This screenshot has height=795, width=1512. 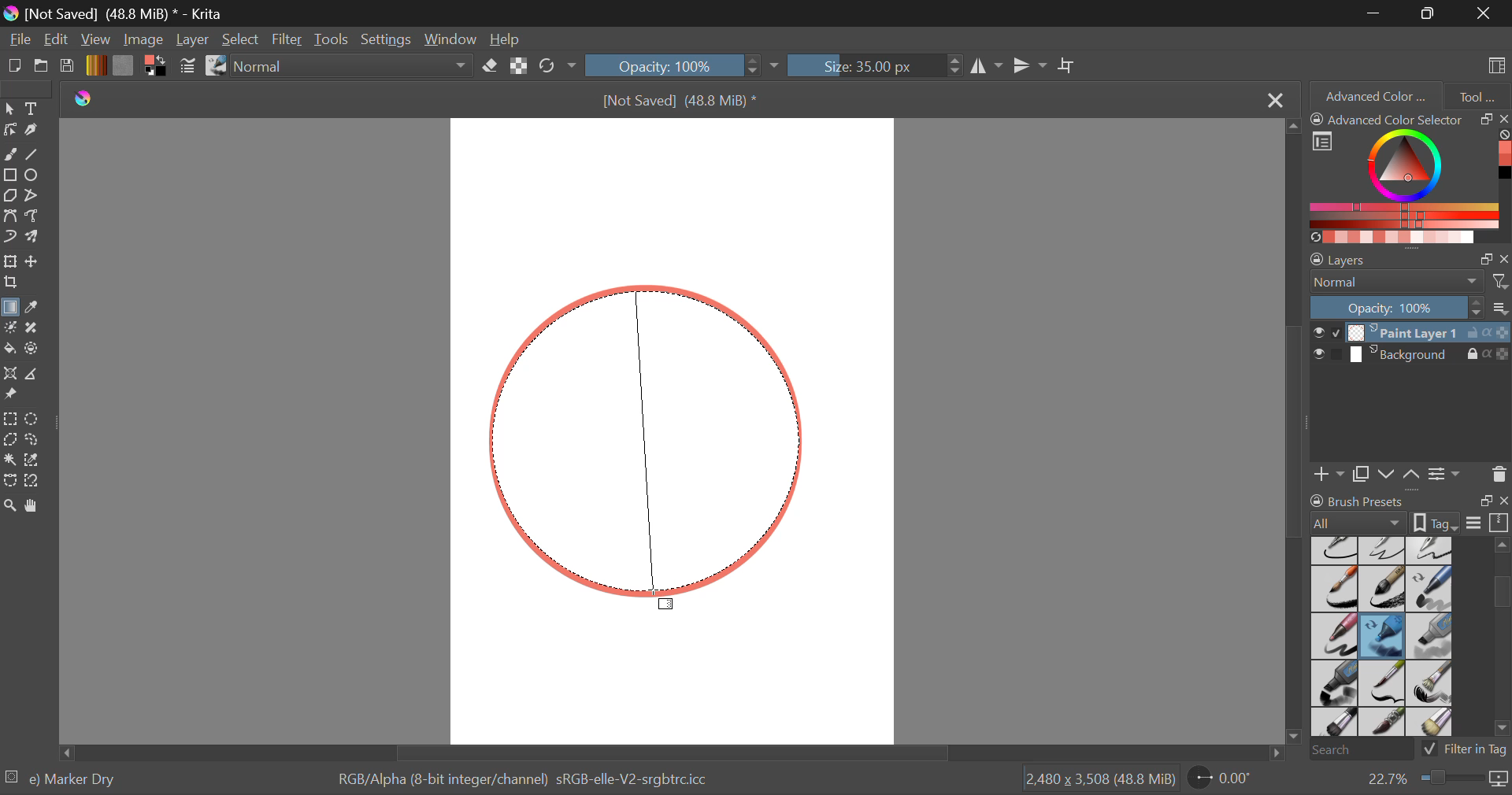 I want to click on Multibrush Tool, so click(x=37, y=238).